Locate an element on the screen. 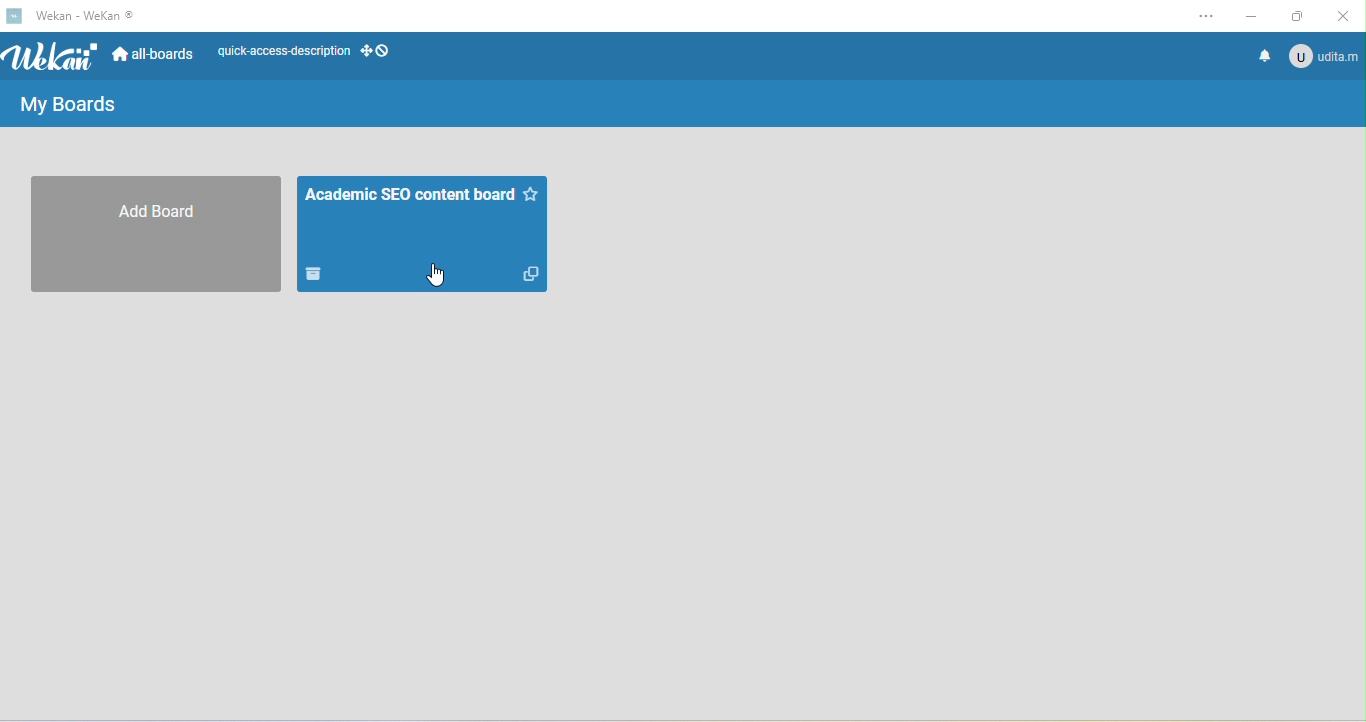 The image size is (1366, 722). duplicate this board is located at coordinates (528, 271).